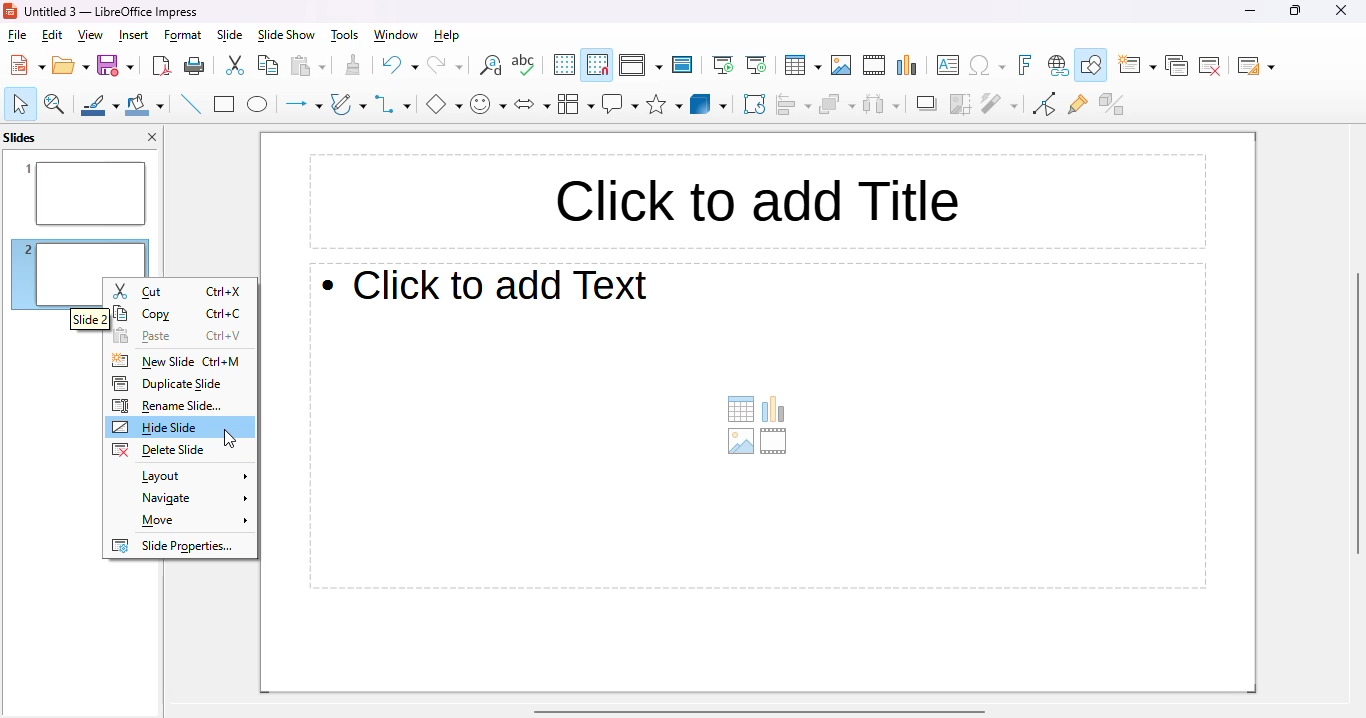 The height and width of the screenshot is (718, 1366). Describe the element at coordinates (1176, 66) in the screenshot. I see `duplicate slide` at that location.